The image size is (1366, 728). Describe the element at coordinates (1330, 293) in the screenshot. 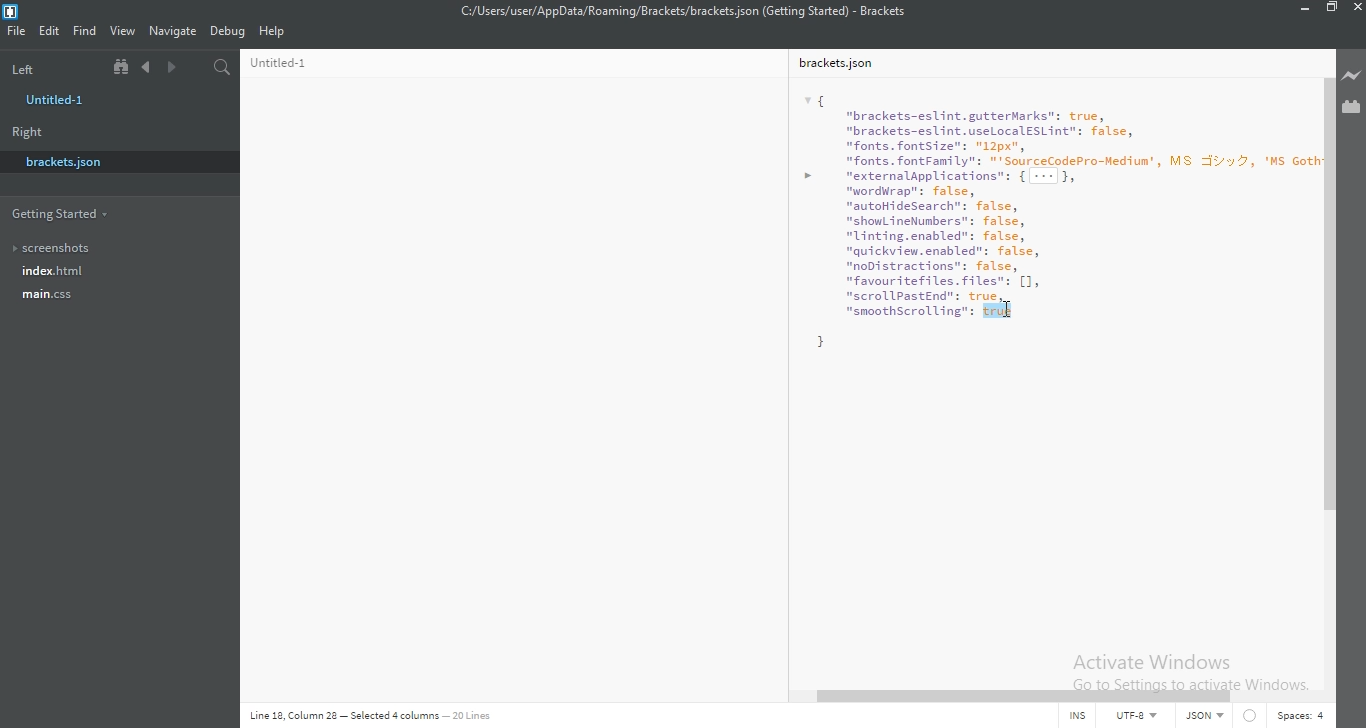

I see `scroll bar` at that location.